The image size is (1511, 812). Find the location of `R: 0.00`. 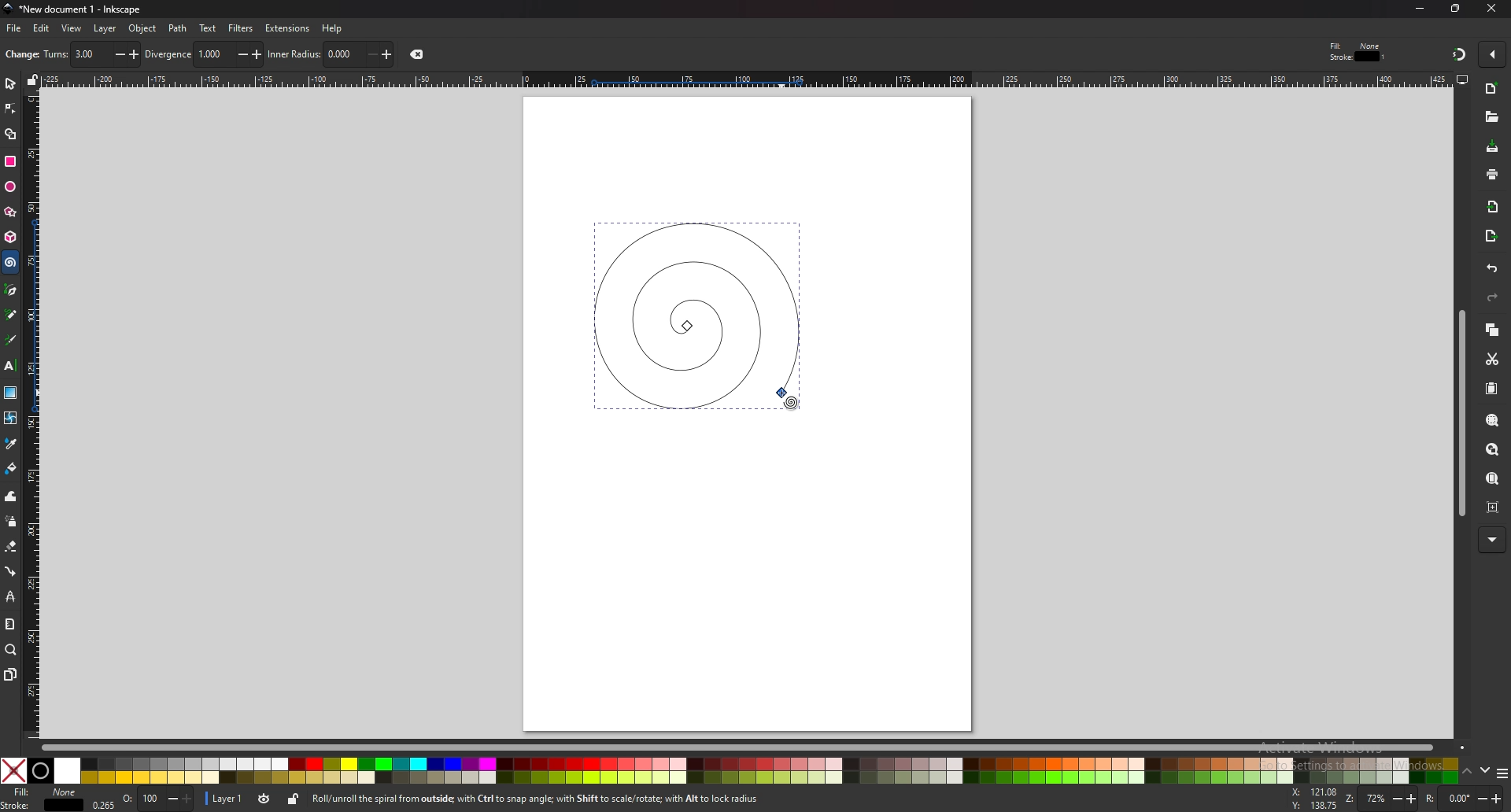

R: 0.00 is located at coordinates (1465, 799).